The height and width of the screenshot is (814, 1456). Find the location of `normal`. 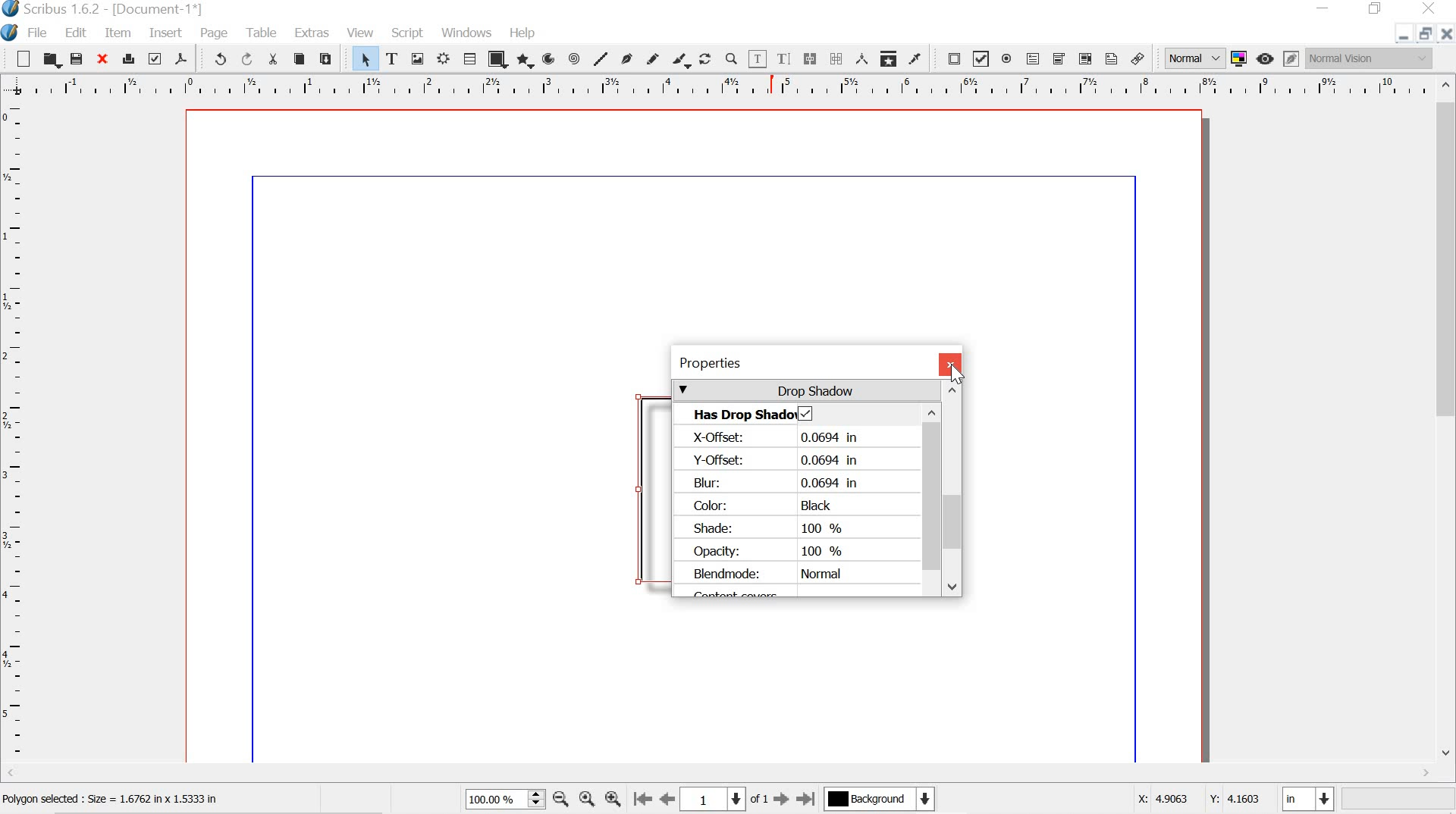

normal is located at coordinates (1193, 56).